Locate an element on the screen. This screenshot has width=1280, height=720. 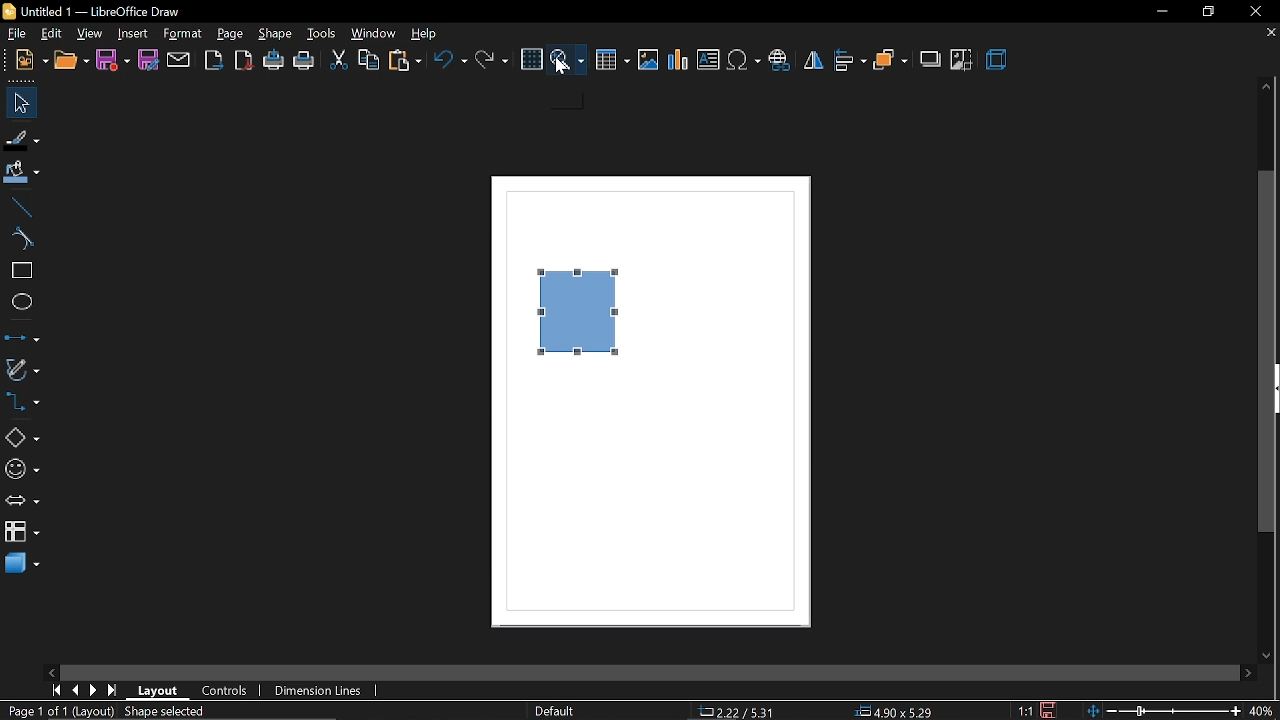
new is located at coordinates (31, 62).